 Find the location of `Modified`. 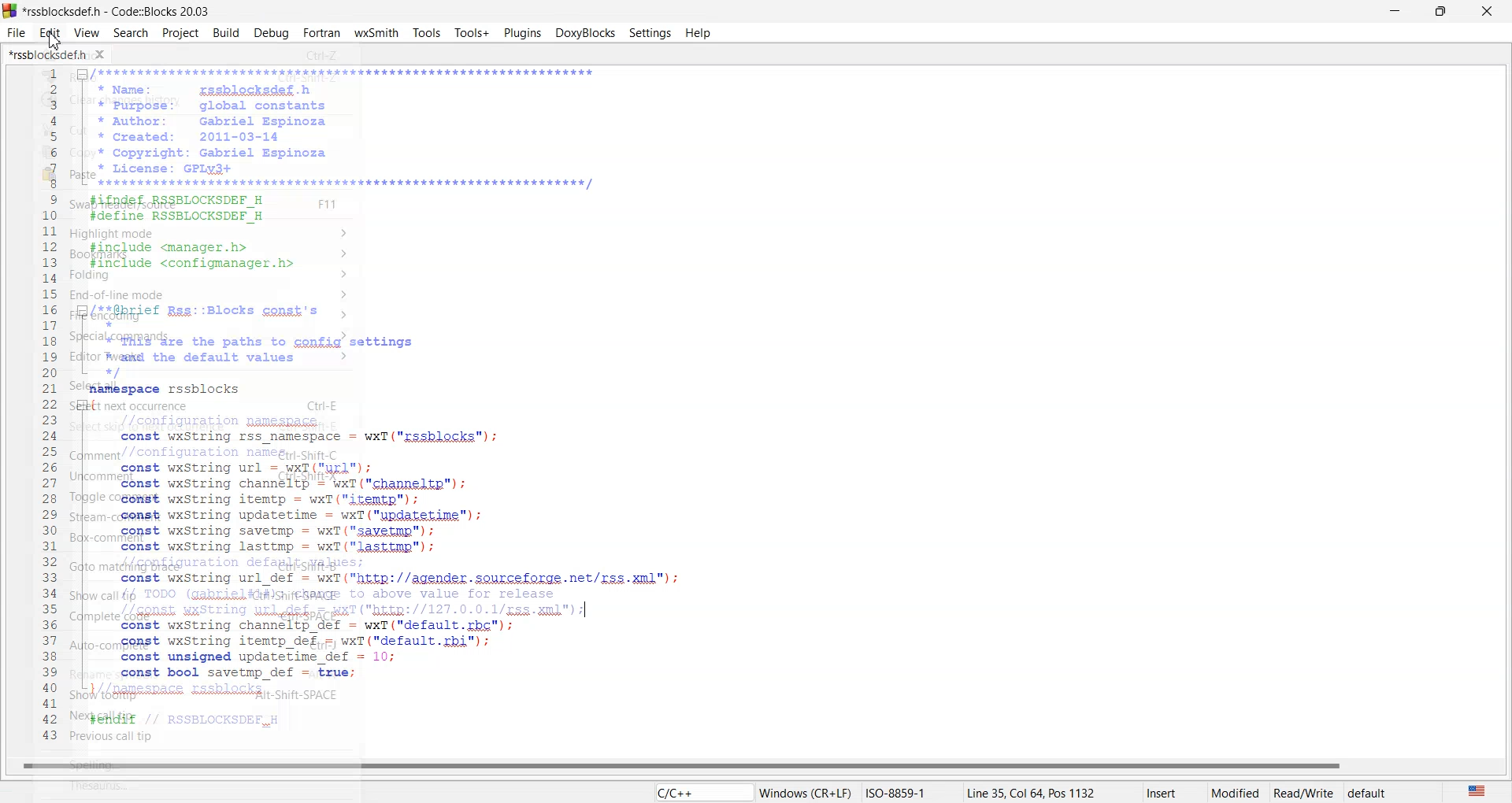

Modified is located at coordinates (1237, 791).